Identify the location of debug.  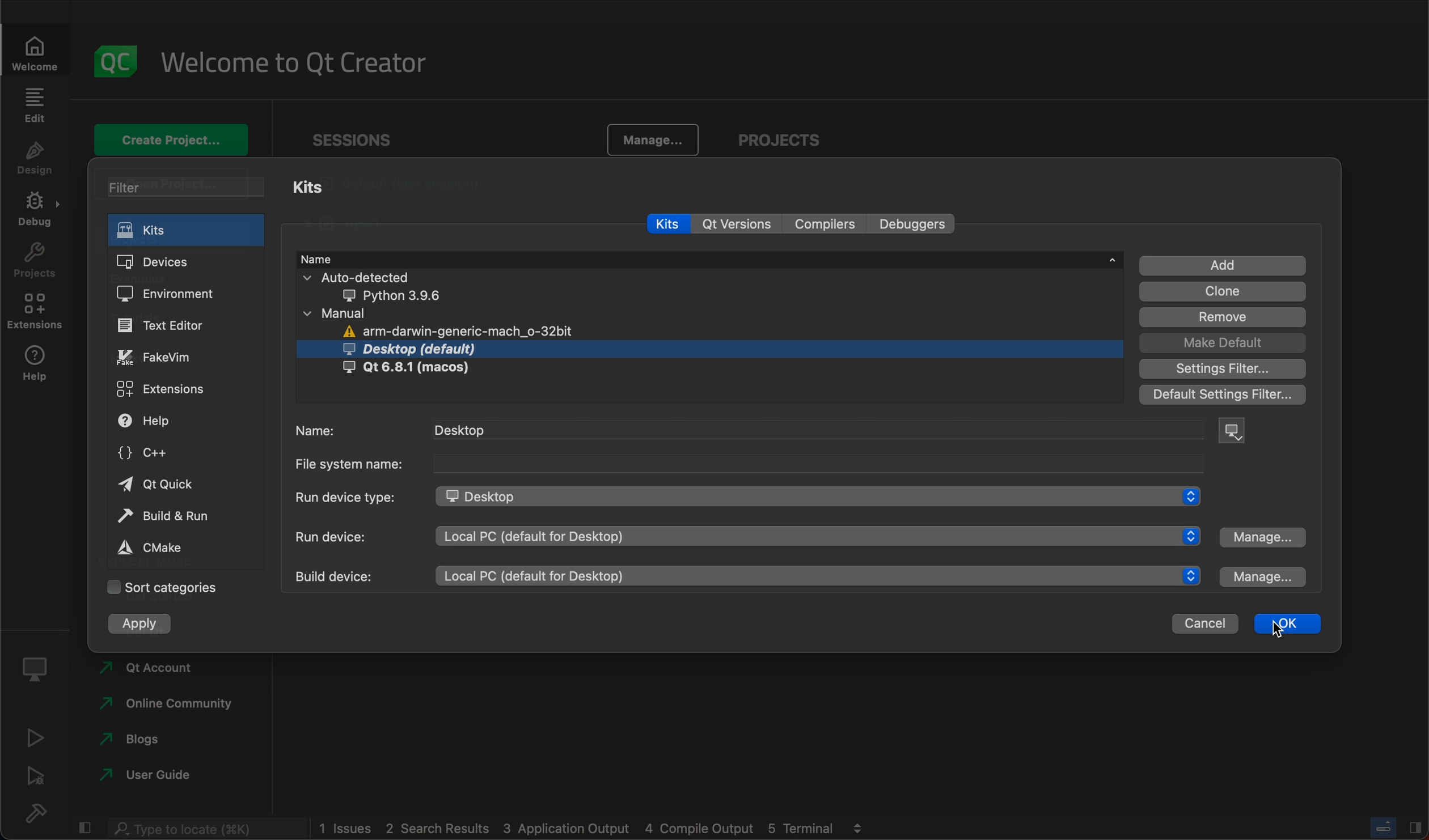
(40, 778).